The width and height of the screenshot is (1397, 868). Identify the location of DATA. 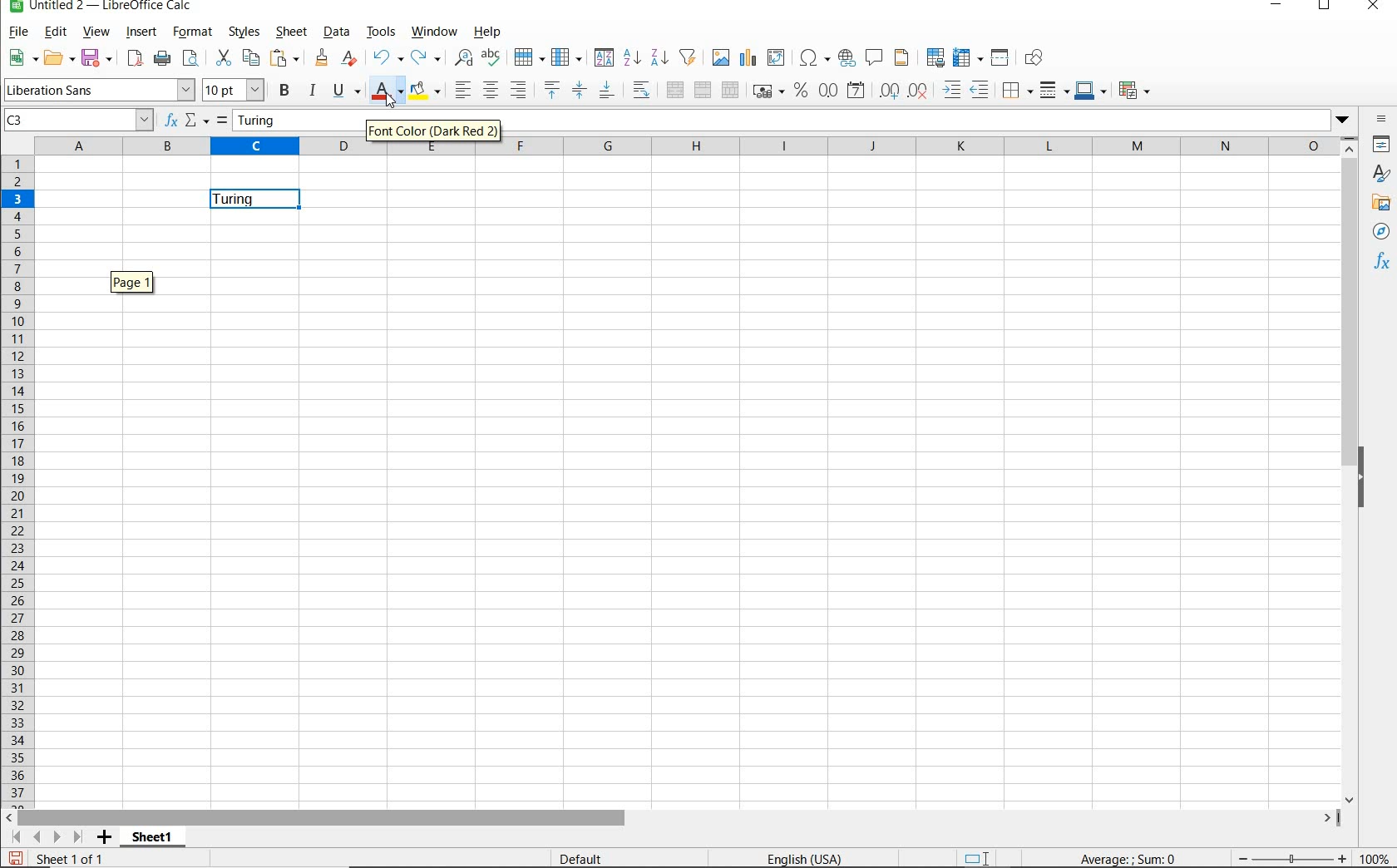
(339, 33).